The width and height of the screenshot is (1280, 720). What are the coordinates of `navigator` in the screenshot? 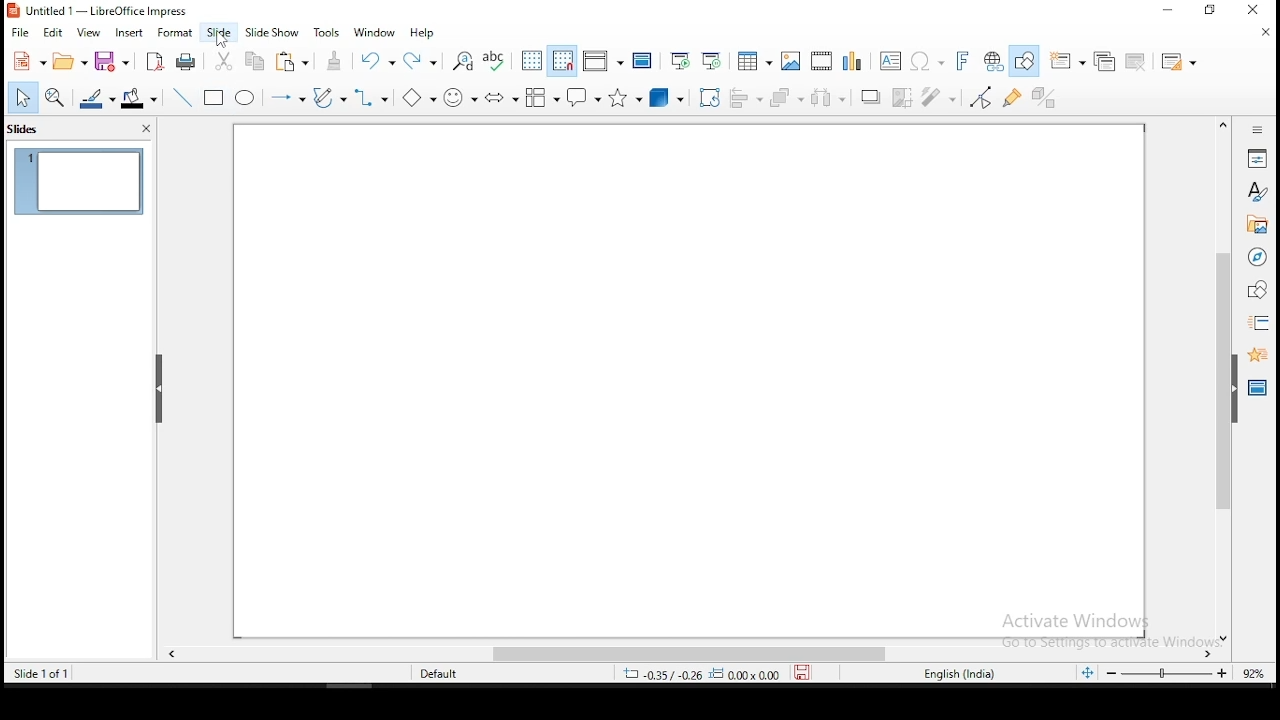 It's located at (1258, 257).